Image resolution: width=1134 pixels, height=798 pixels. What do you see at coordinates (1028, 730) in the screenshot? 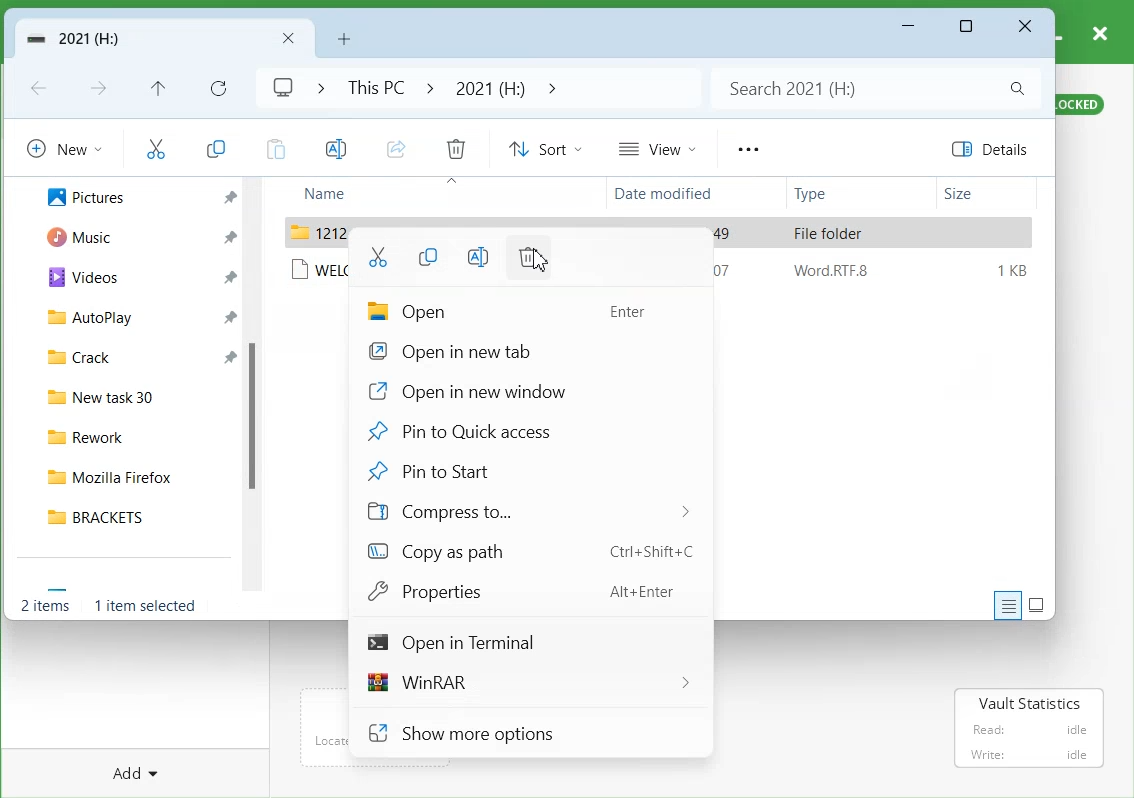
I see `Read: idle` at bounding box center [1028, 730].